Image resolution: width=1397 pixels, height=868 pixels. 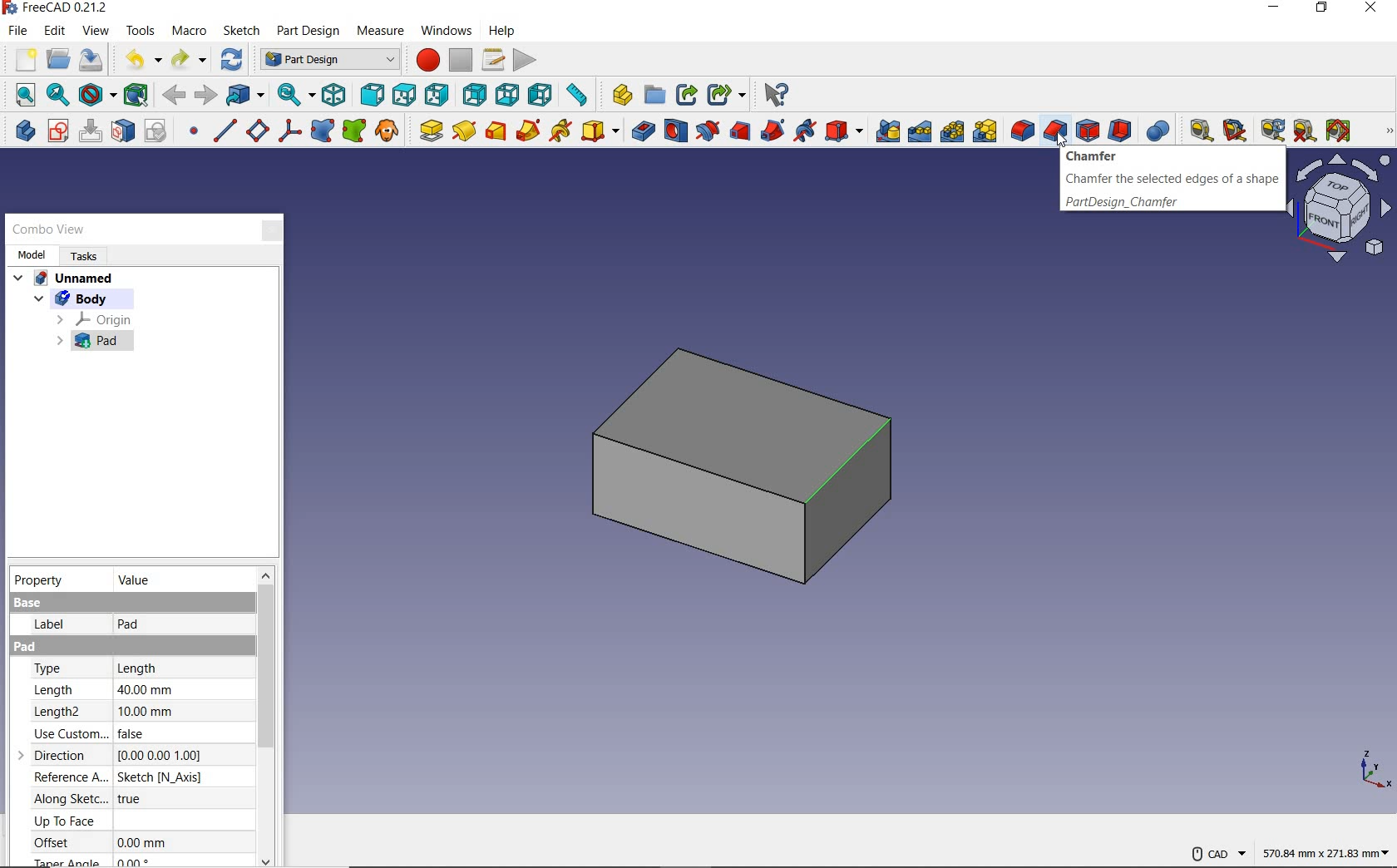 What do you see at coordinates (309, 32) in the screenshot?
I see `part design` at bounding box center [309, 32].